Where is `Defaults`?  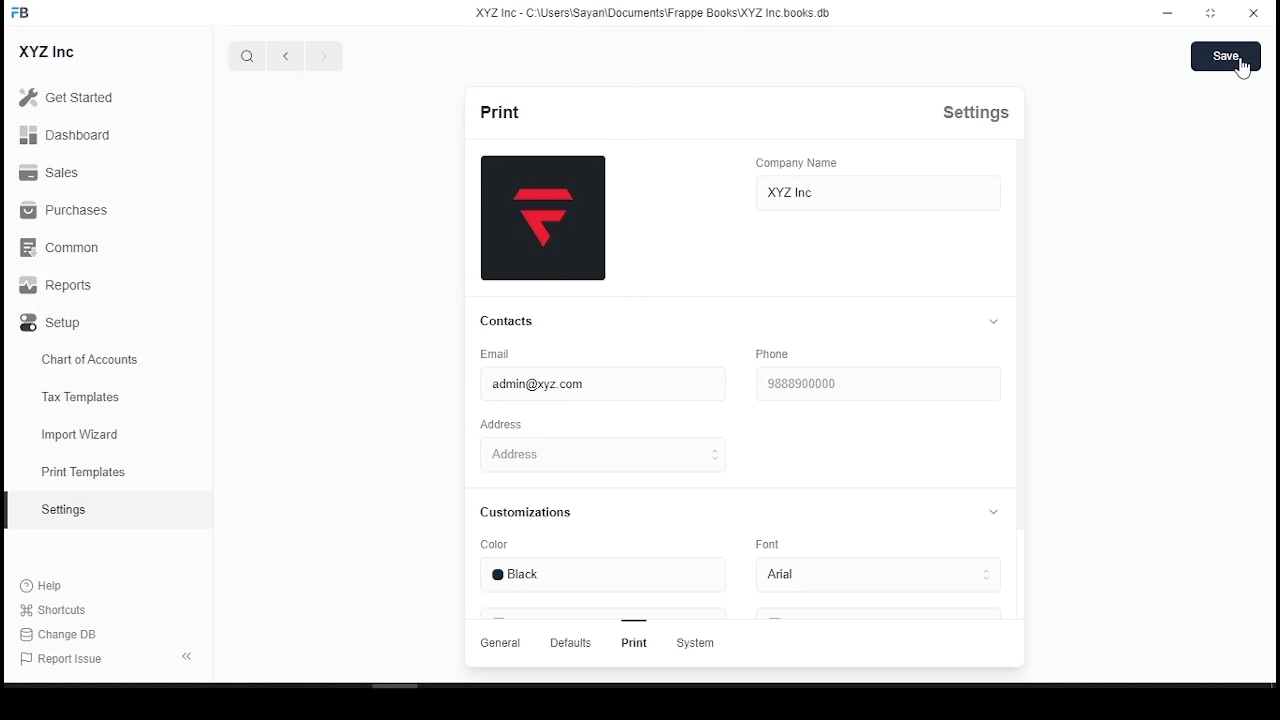 Defaults is located at coordinates (570, 642).